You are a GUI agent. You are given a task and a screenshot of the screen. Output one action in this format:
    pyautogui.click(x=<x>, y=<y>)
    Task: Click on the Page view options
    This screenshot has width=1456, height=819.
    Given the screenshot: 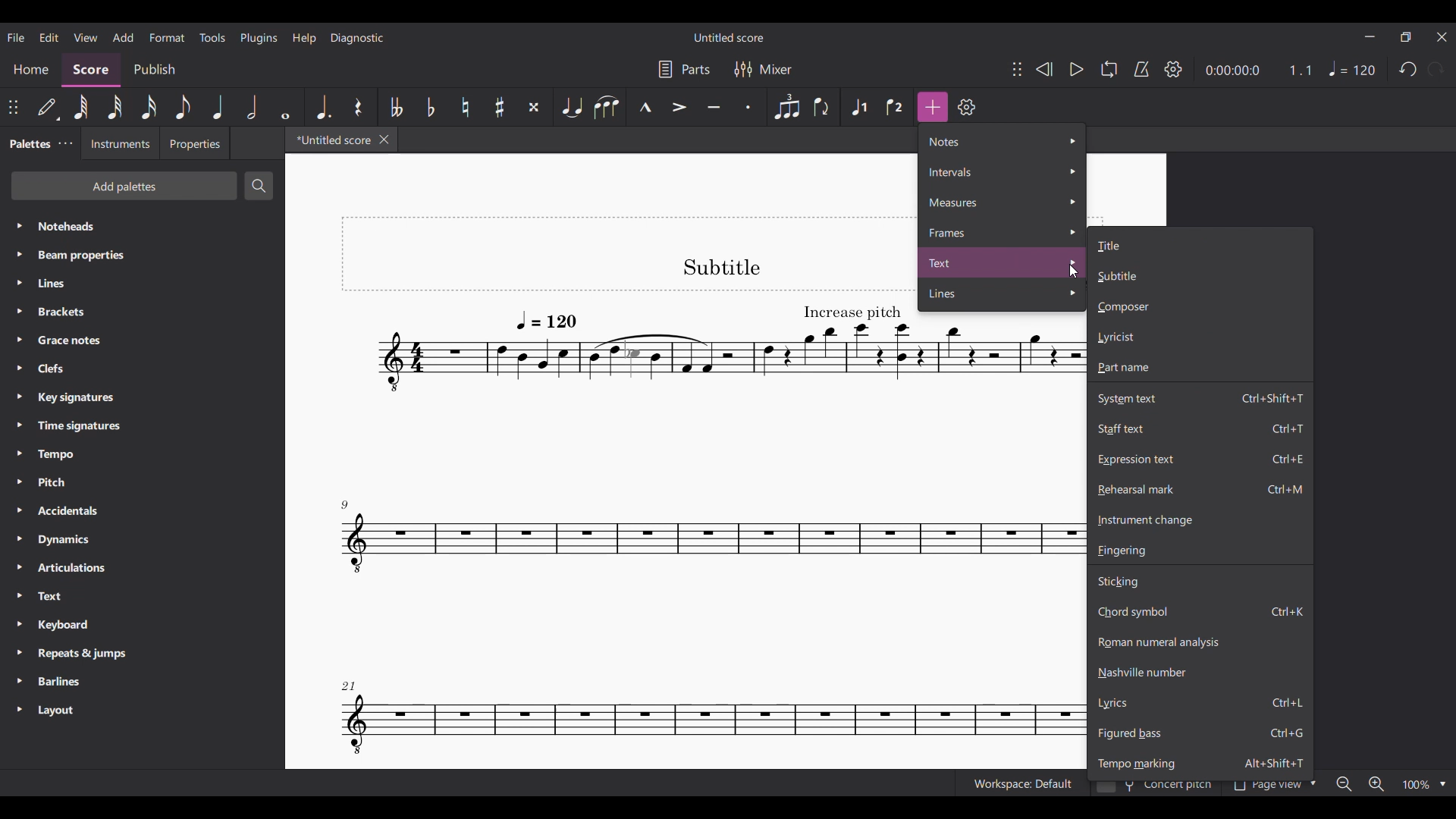 What is the action you would take?
    pyautogui.click(x=1272, y=788)
    